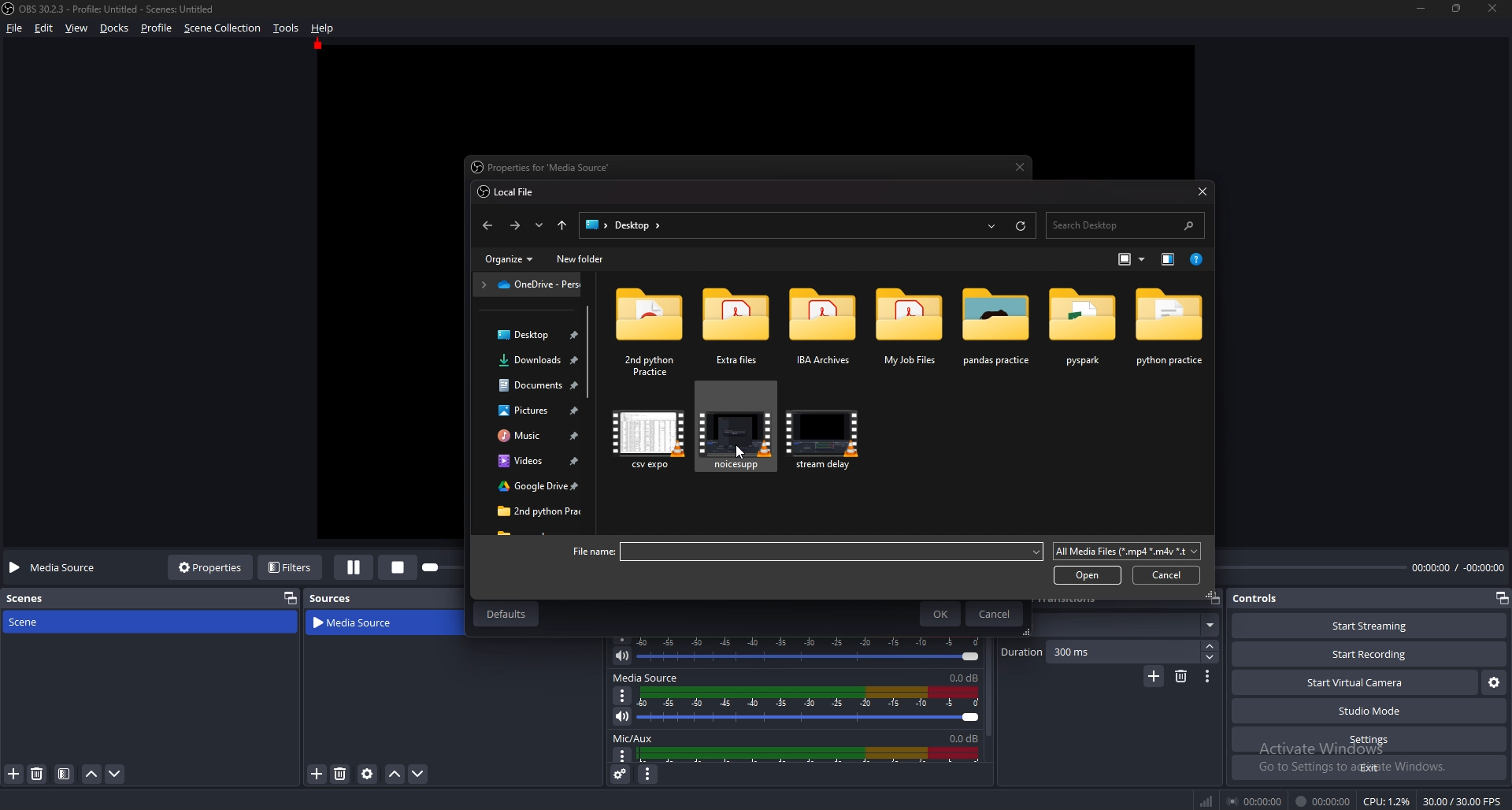 The height and width of the screenshot is (810, 1512). Describe the element at coordinates (35, 620) in the screenshot. I see ` Scene scene` at that location.